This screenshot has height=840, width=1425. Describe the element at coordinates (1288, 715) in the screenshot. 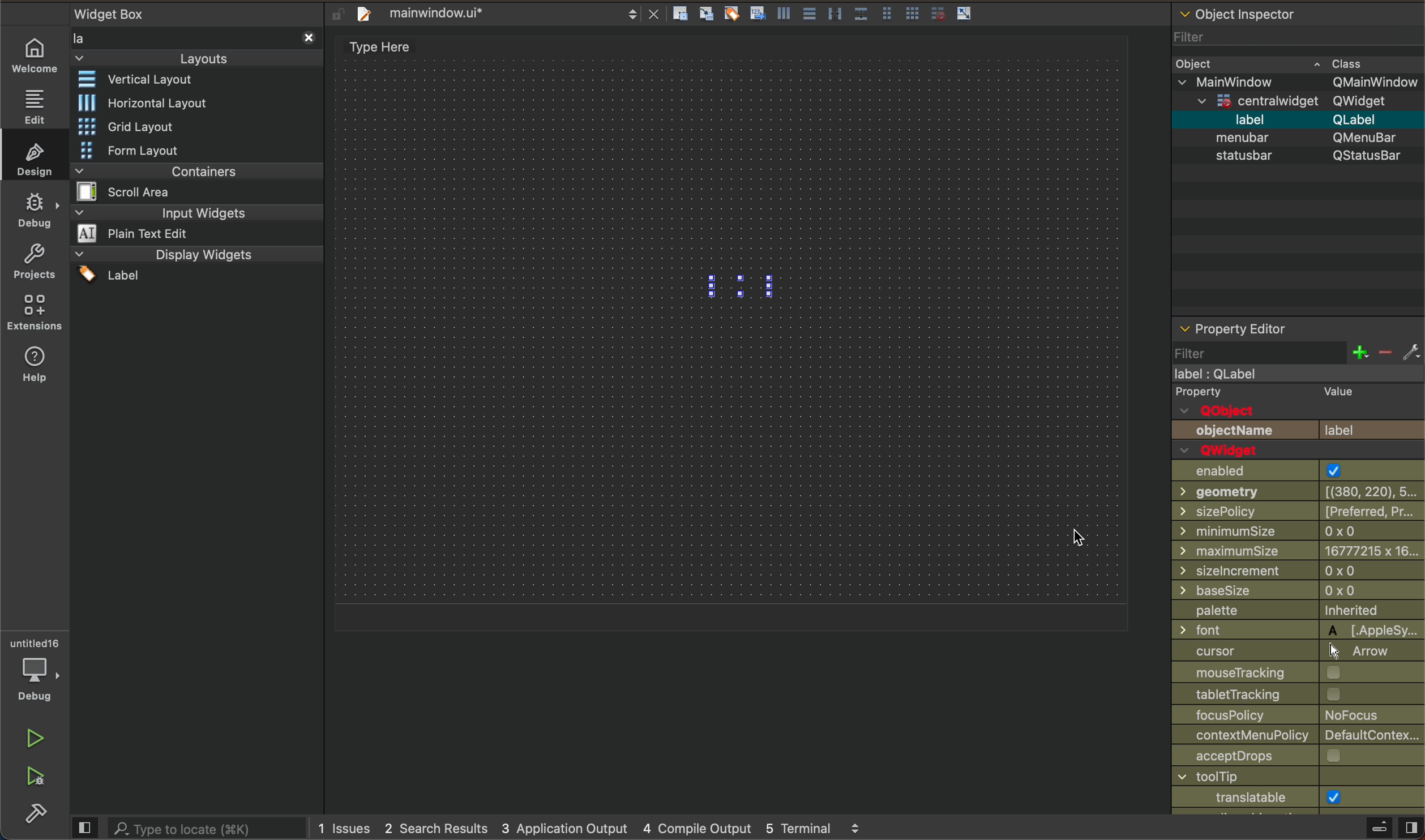

I see `focus` at that location.